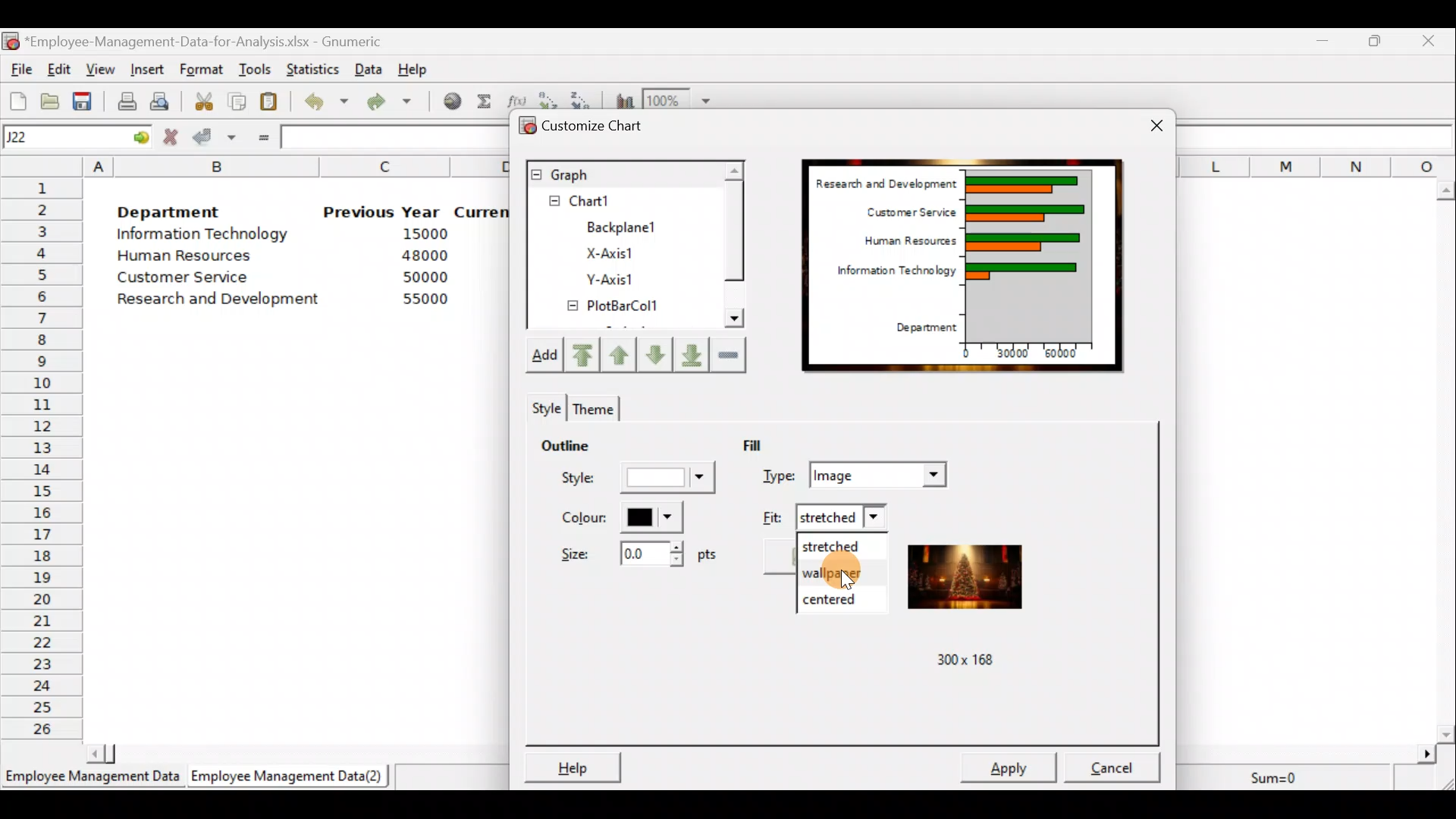  I want to click on Fill, so click(771, 444).